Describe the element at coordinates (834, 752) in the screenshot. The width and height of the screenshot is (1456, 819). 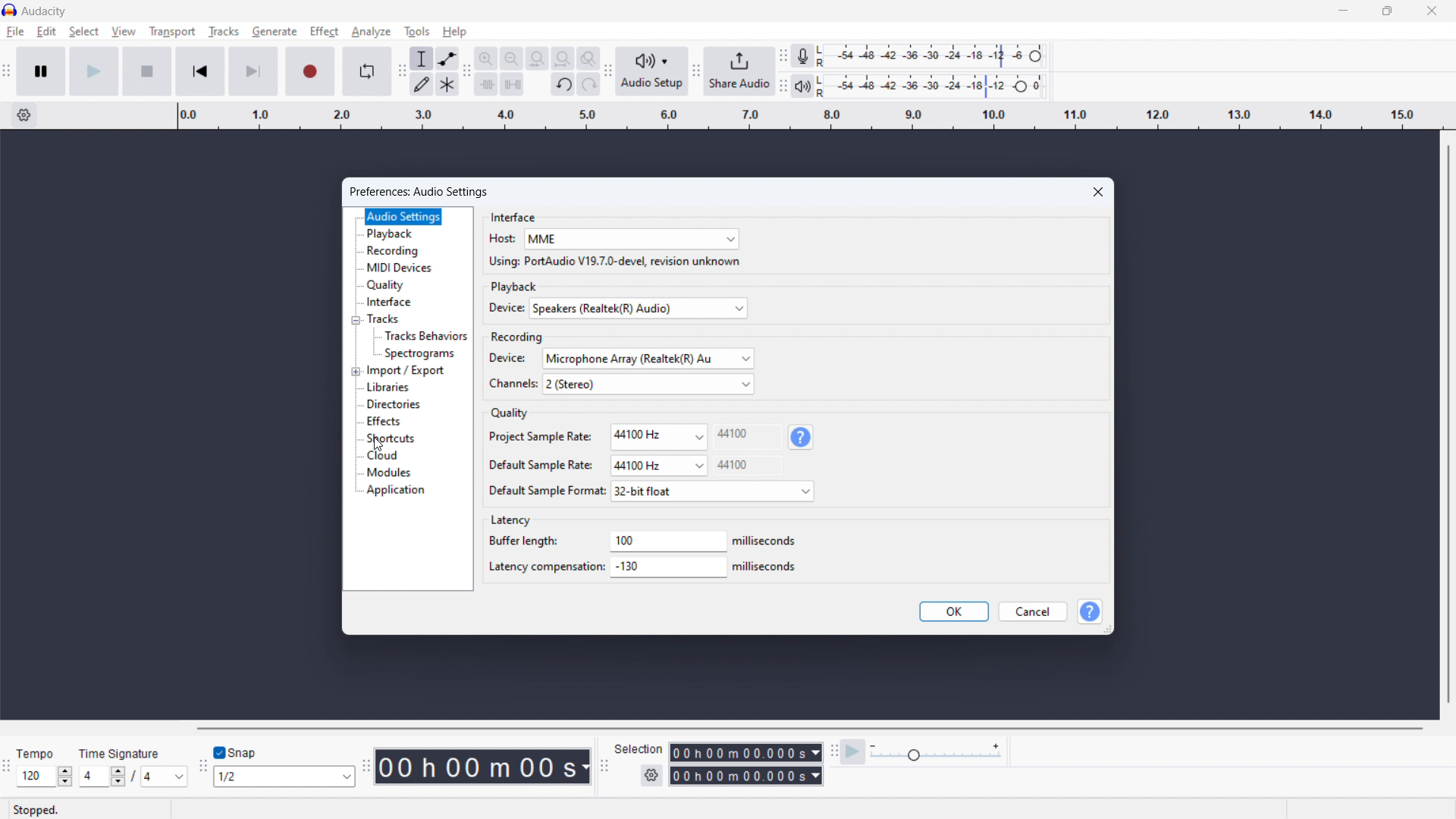
I see `Enables movment of play back speed toolbar` at that location.